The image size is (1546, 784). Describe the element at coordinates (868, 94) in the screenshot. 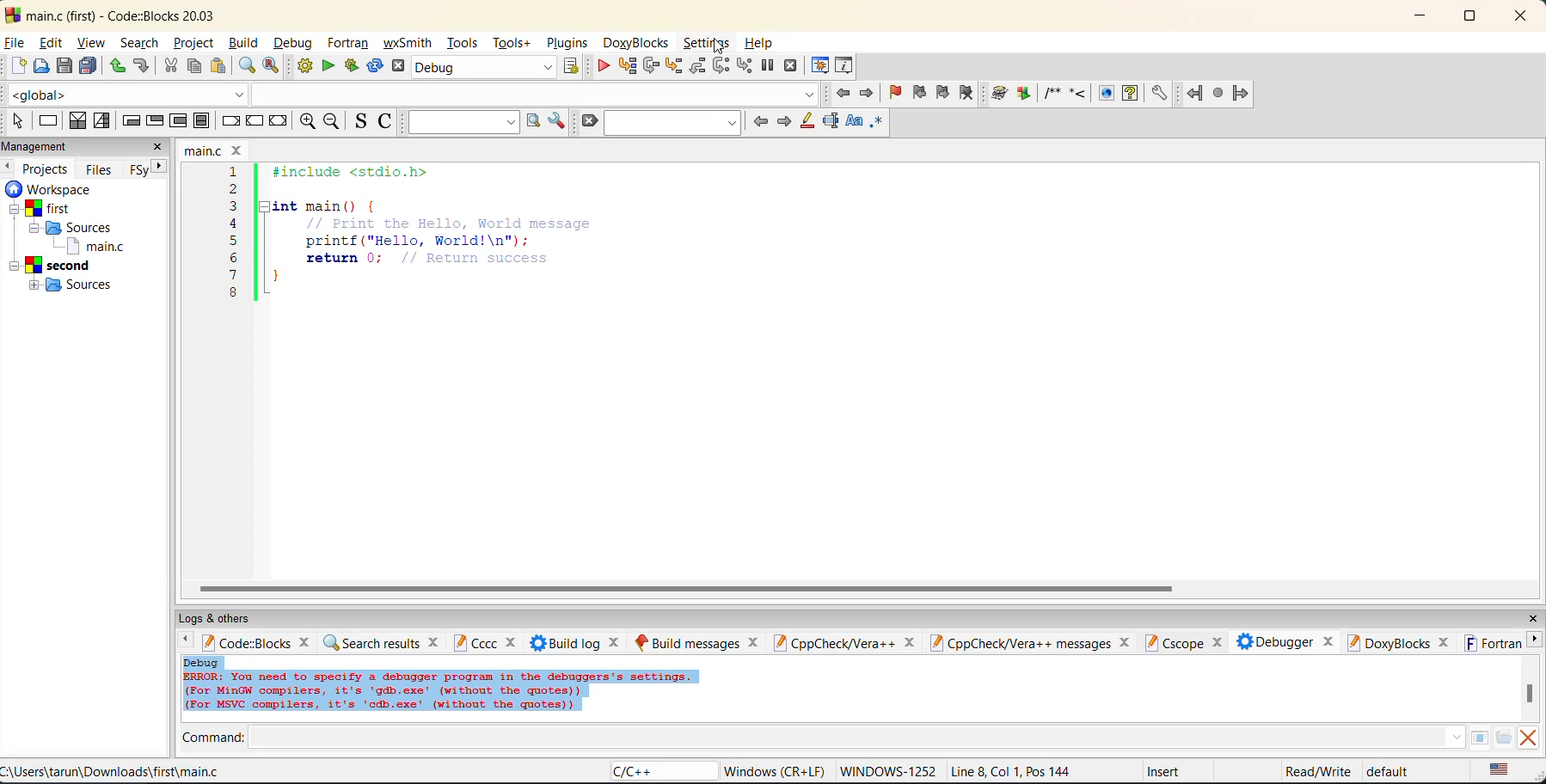

I see `jump forward` at that location.